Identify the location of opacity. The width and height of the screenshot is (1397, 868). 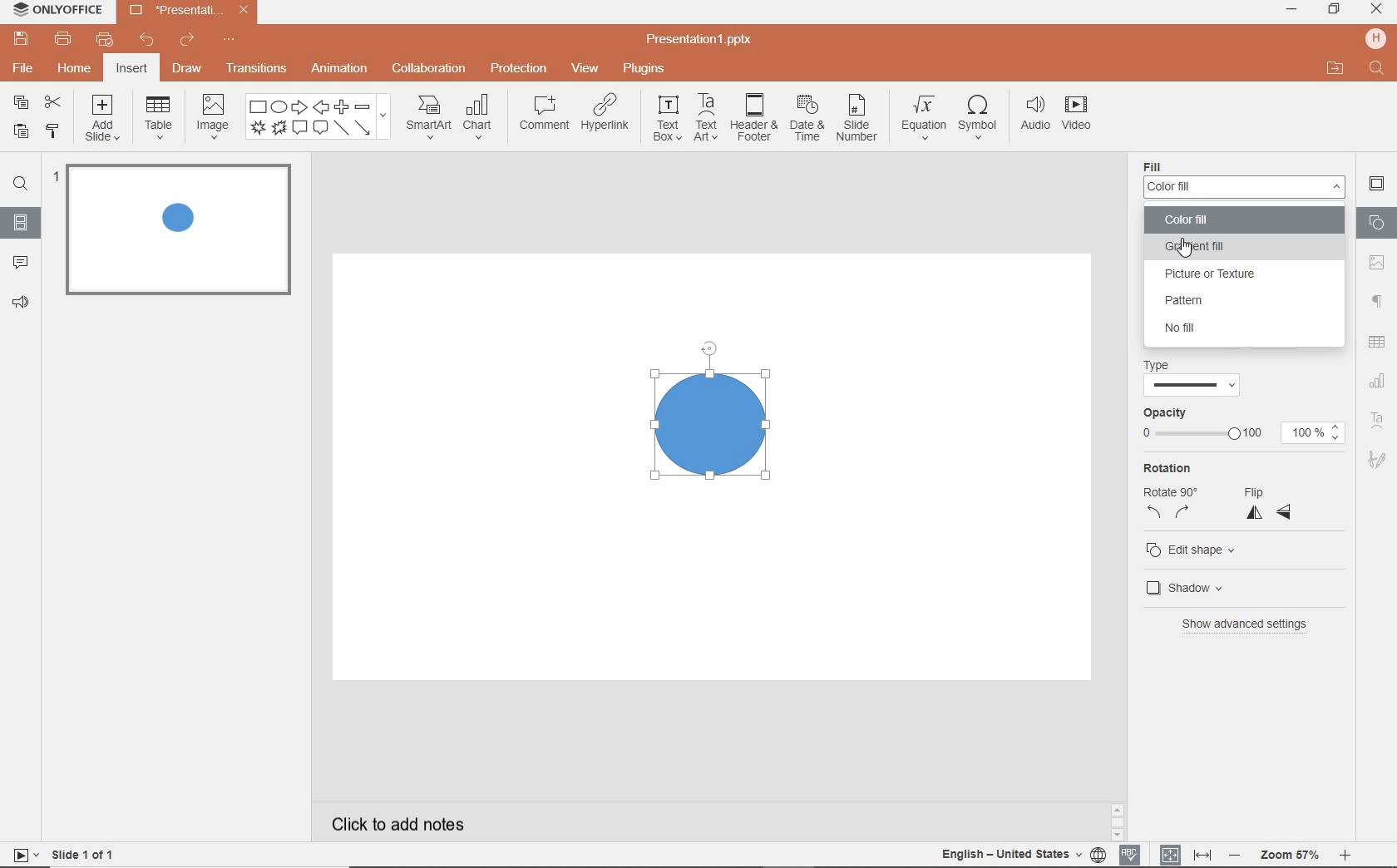
(1248, 427).